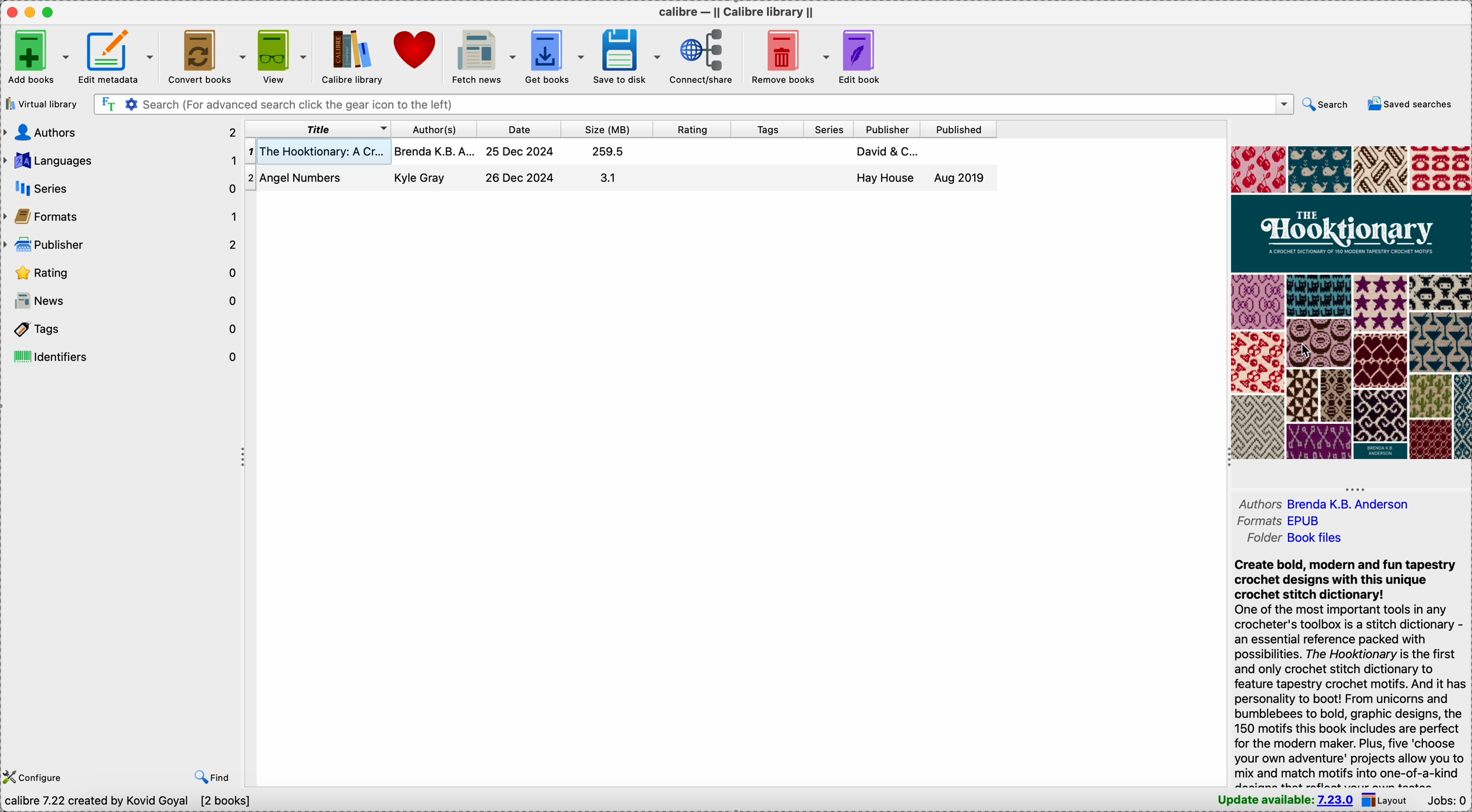  I want to click on rating, so click(122, 271).